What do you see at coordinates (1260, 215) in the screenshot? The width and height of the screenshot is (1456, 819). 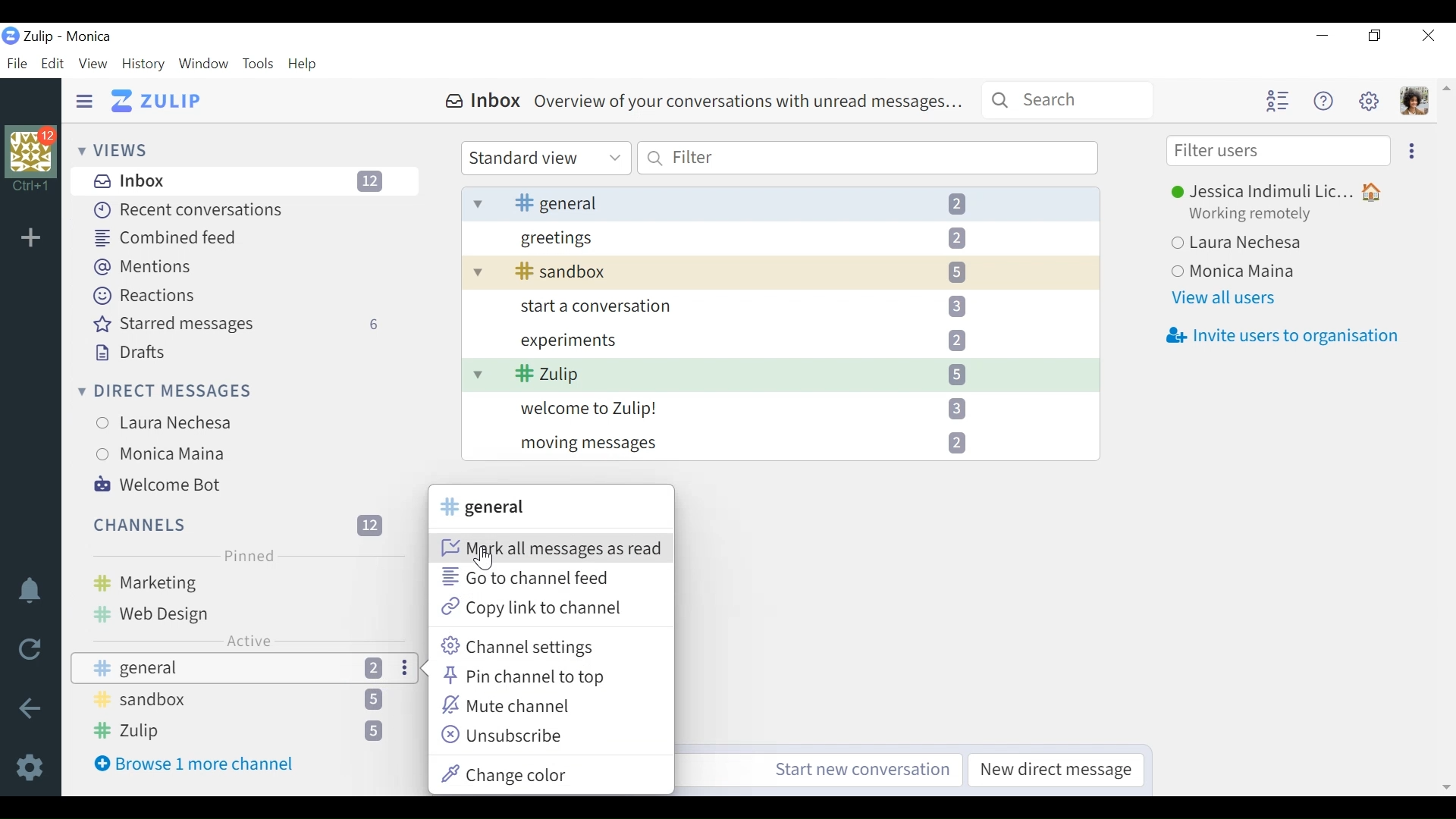 I see `Working remotely` at bounding box center [1260, 215].